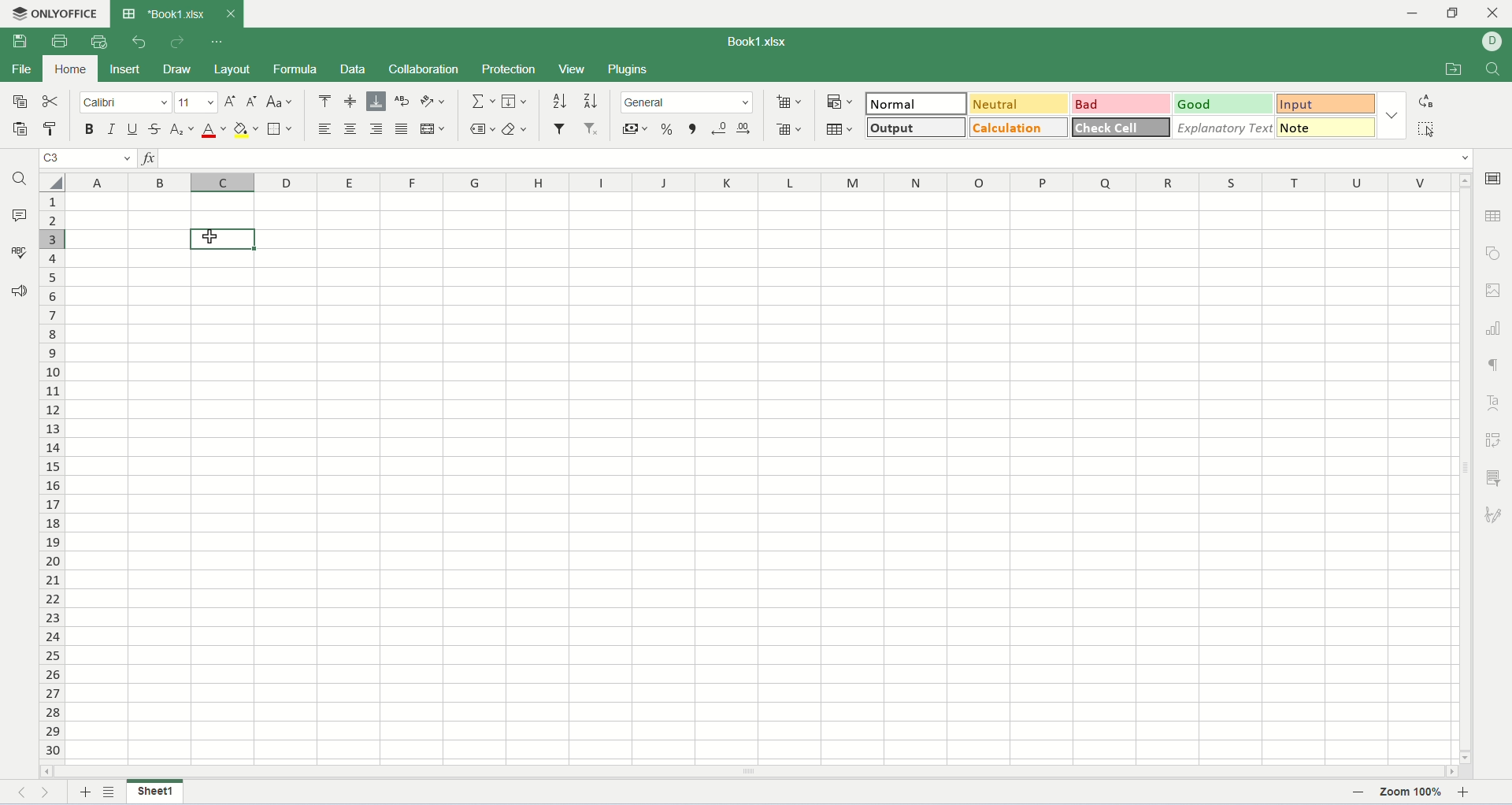 The image size is (1512, 805). What do you see at coordinates (27, 792) in the screenshot?
I see `previous` at bounding box center [27, 792].